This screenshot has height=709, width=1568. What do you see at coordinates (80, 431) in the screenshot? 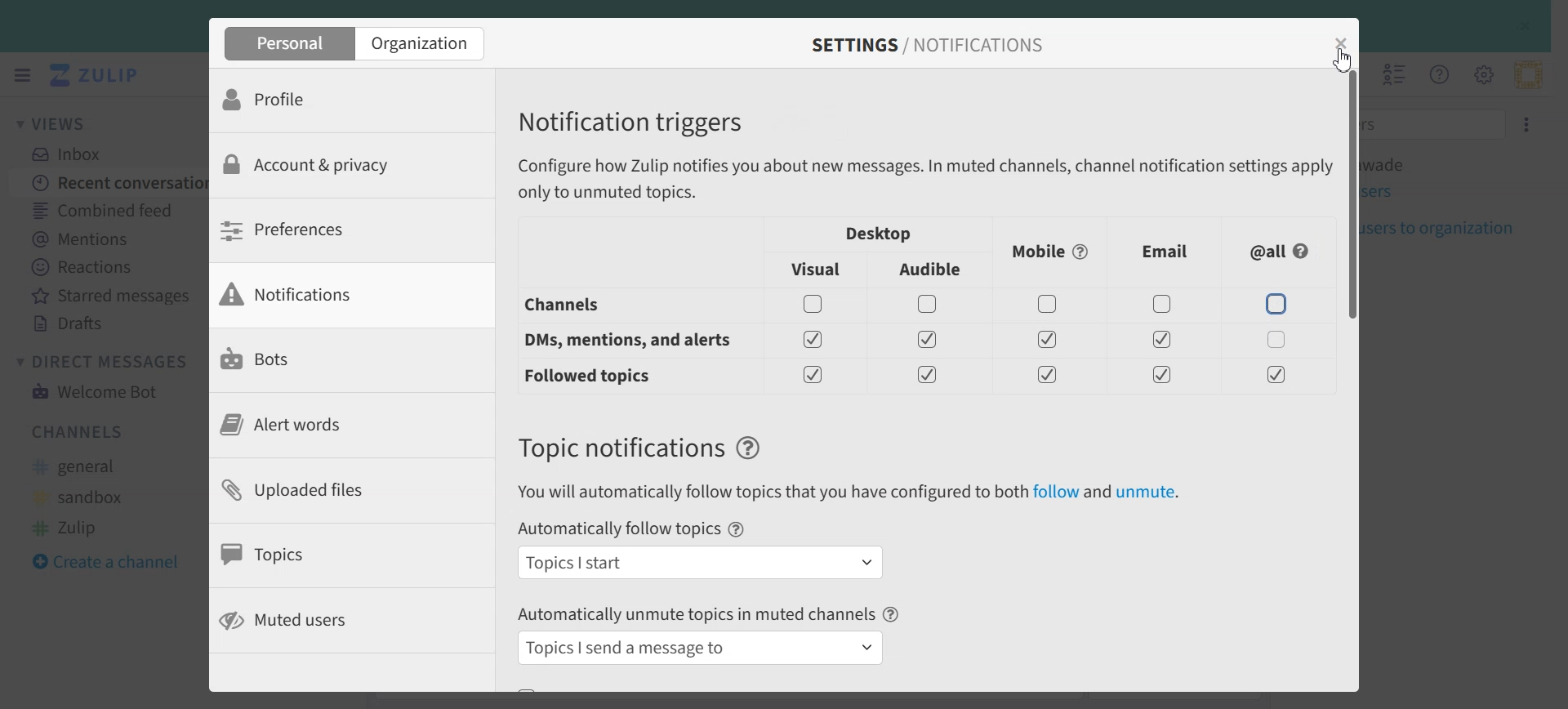
I see `Channels` at bounding box center [80, 431].